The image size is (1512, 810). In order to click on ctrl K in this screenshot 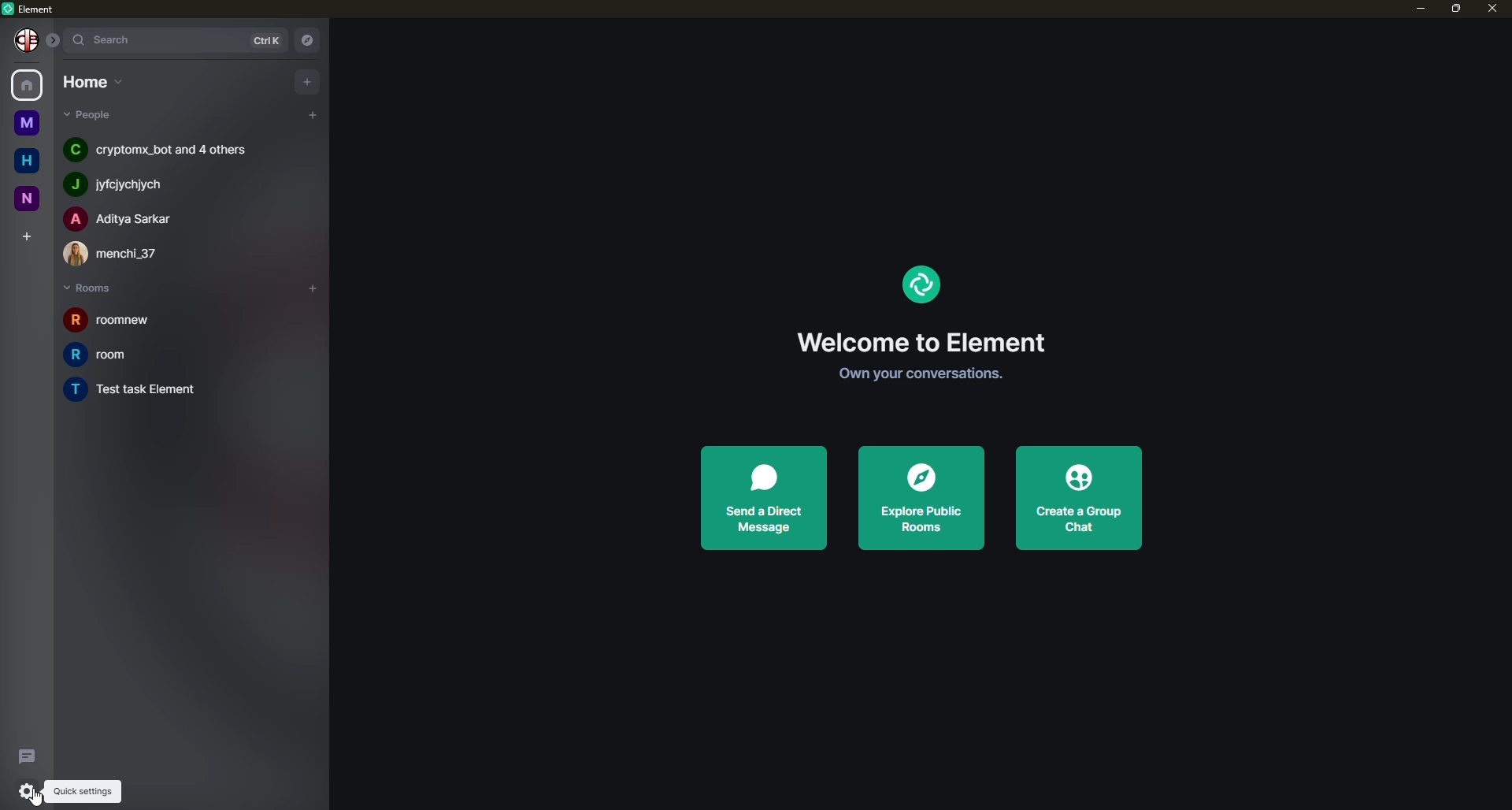, I will do `click(261, 39)`.